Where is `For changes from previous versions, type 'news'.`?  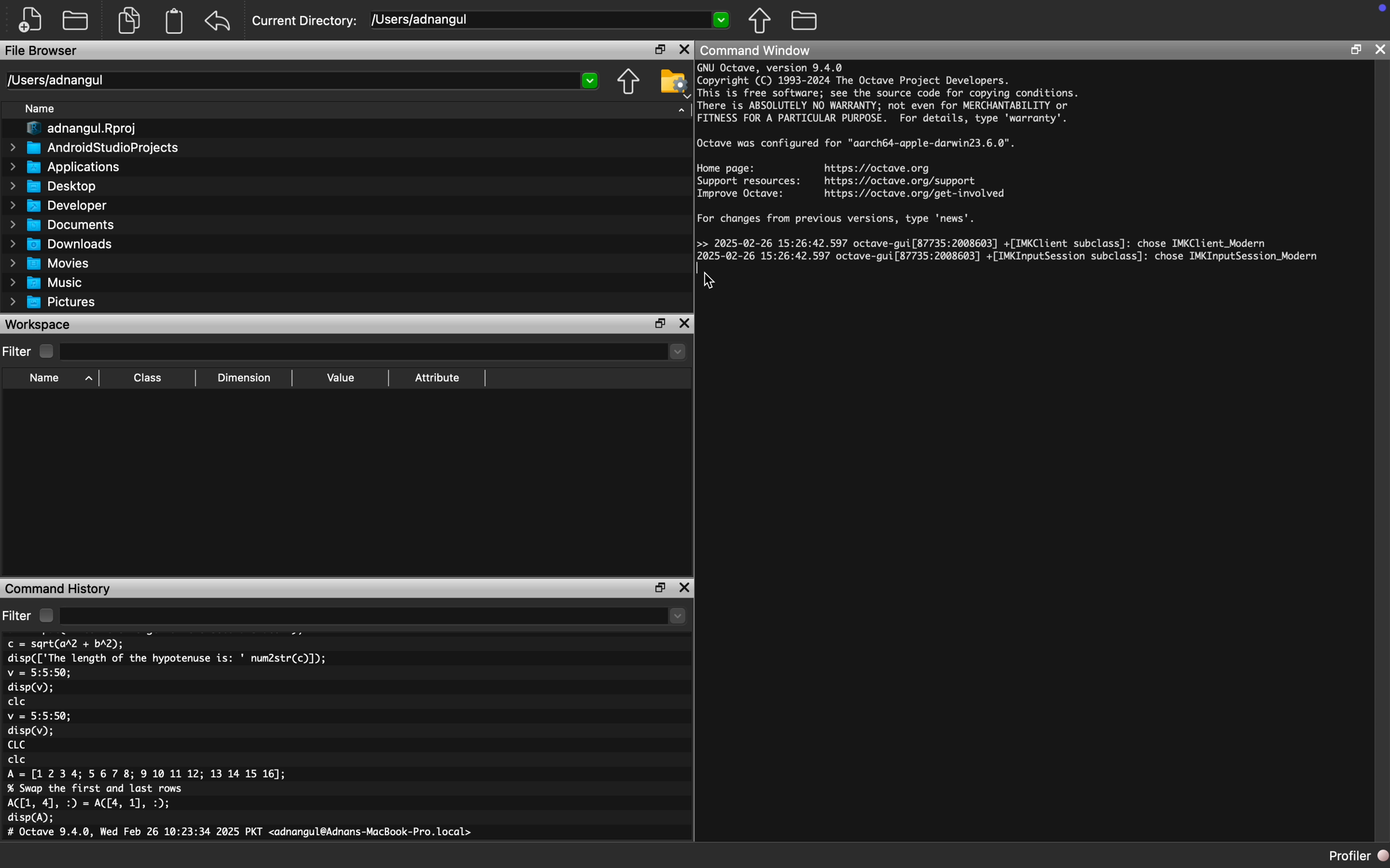 For changes from previous versions, type 'news'. is located at coordinates (839, 220).